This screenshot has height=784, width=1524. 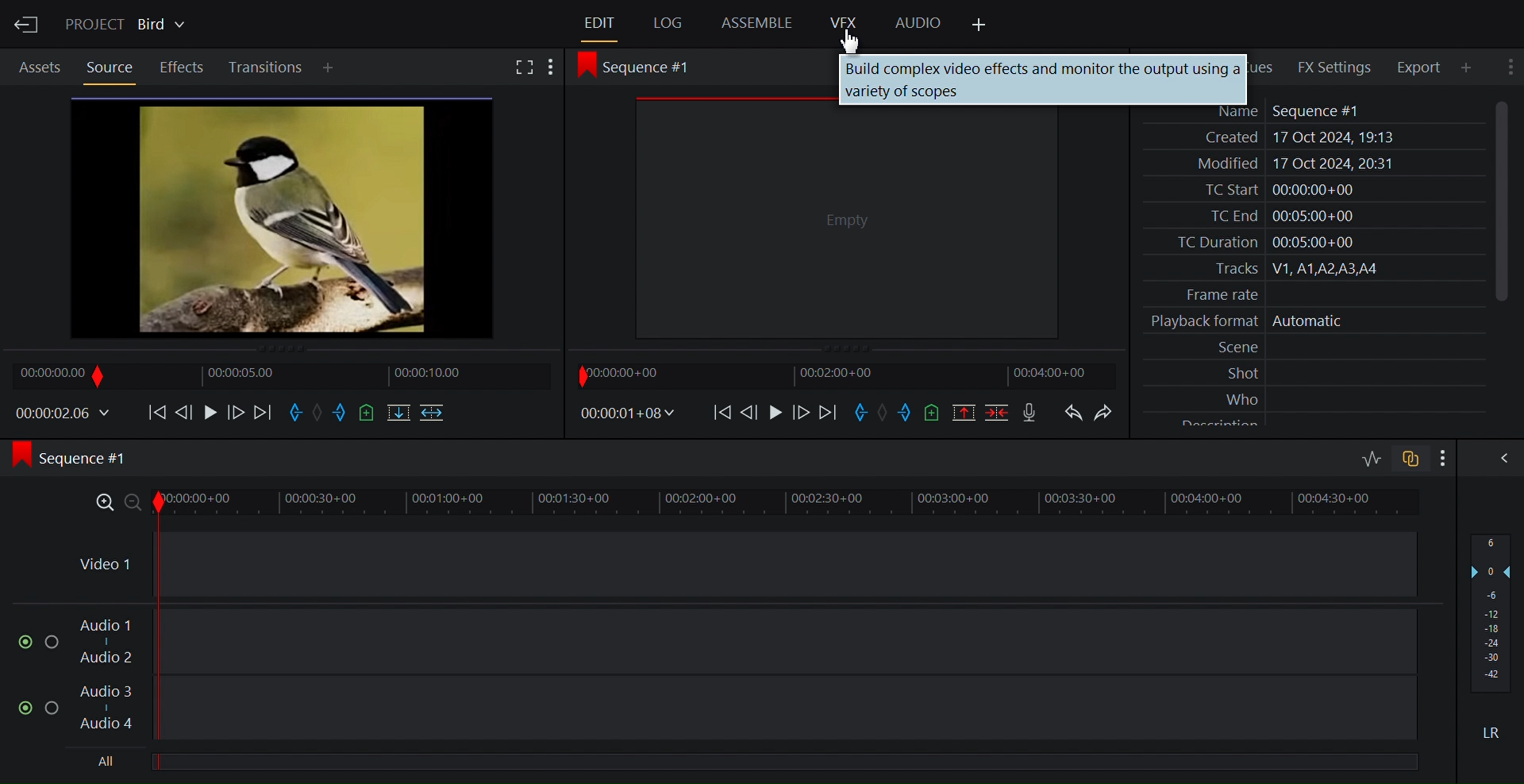 I want to click on Move forward, so click(x=263, y=413).